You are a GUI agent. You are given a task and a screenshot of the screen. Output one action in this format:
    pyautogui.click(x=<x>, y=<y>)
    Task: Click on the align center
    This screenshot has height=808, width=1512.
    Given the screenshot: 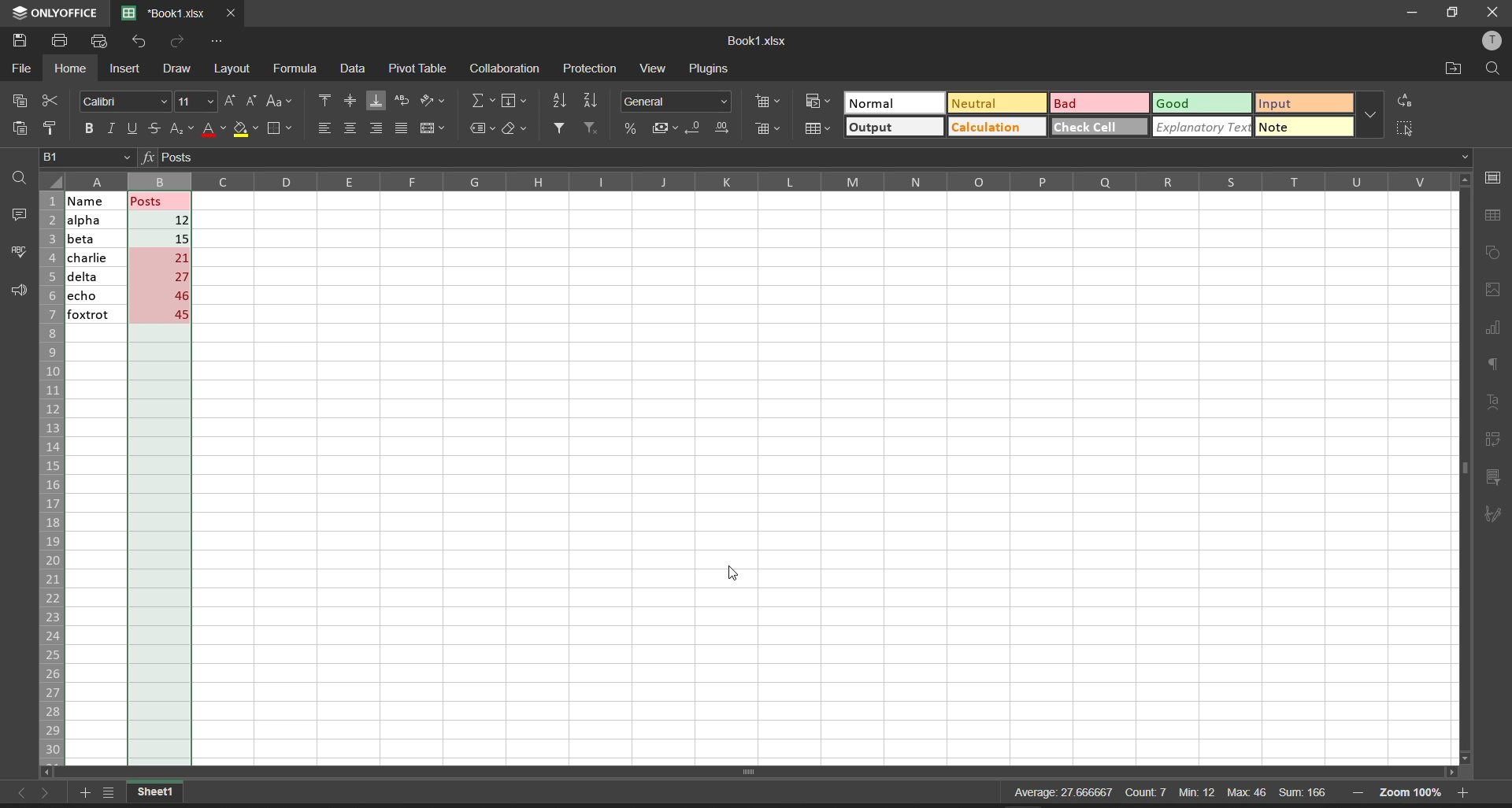 What is the action you would take?
    pyautogui.click(x=350, y=129)
    